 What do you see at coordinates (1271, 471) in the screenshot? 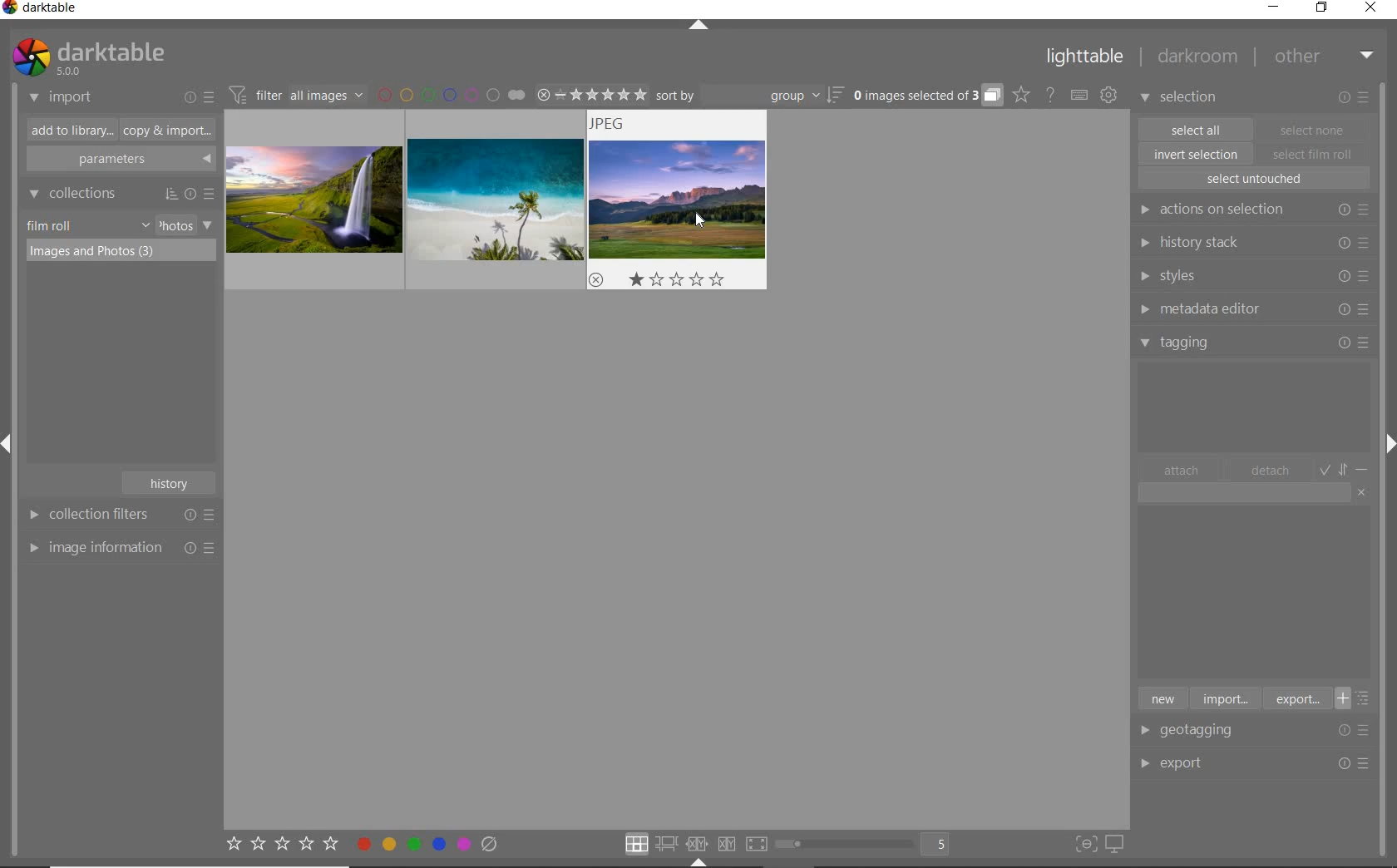
I see `detach` at bounding box center [1271, 471].